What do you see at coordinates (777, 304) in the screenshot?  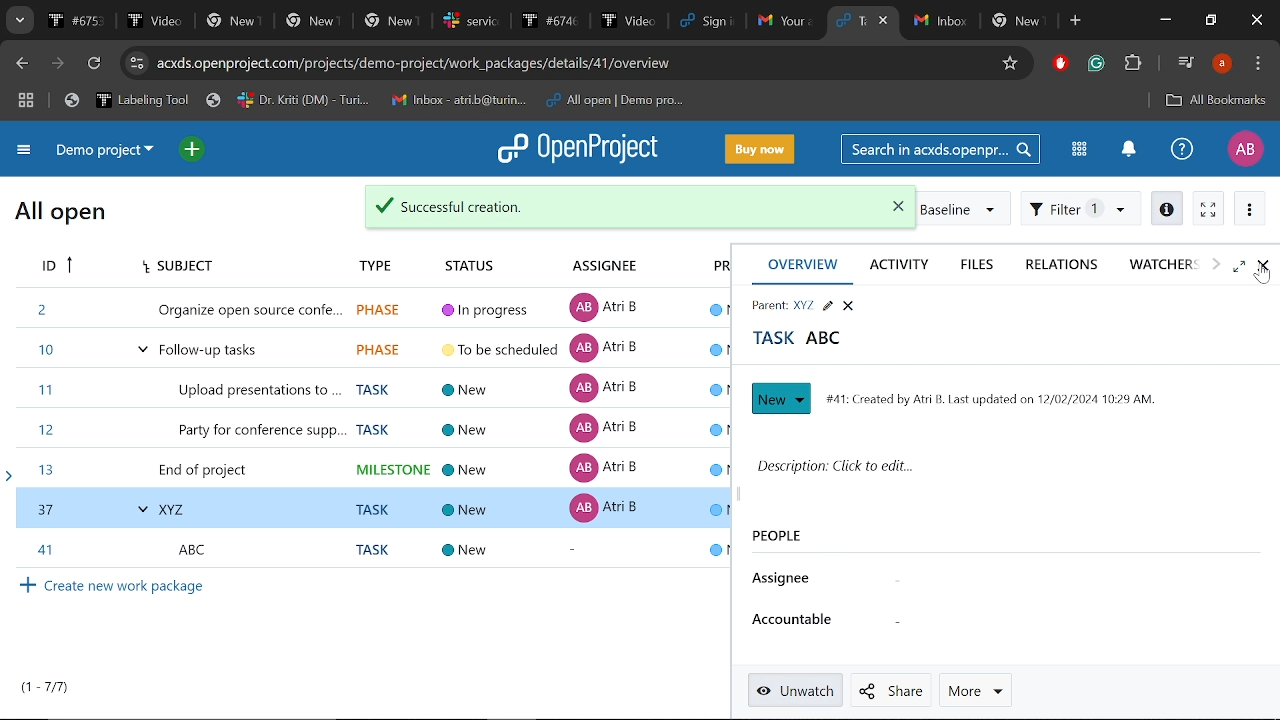 I see `Parent` at bounding box center [777, 304].